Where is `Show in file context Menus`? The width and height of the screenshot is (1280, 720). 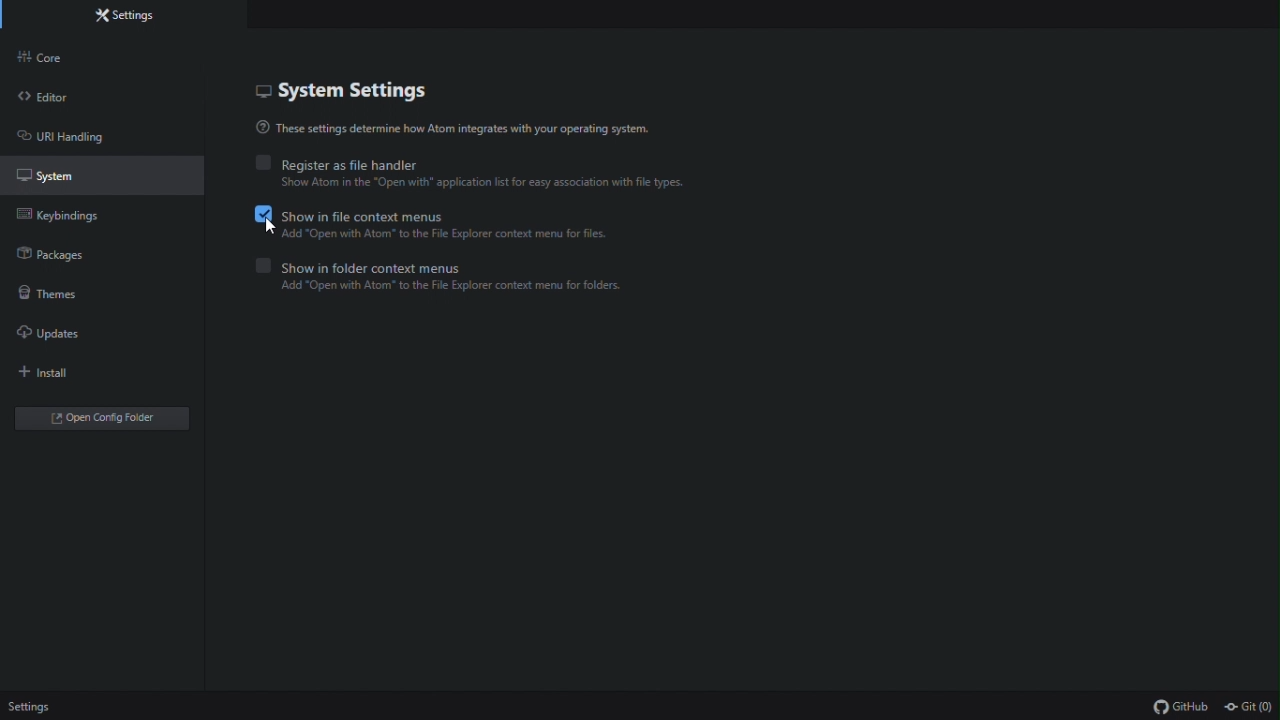 Show in file context Menus is located at coordinates (351, 213).